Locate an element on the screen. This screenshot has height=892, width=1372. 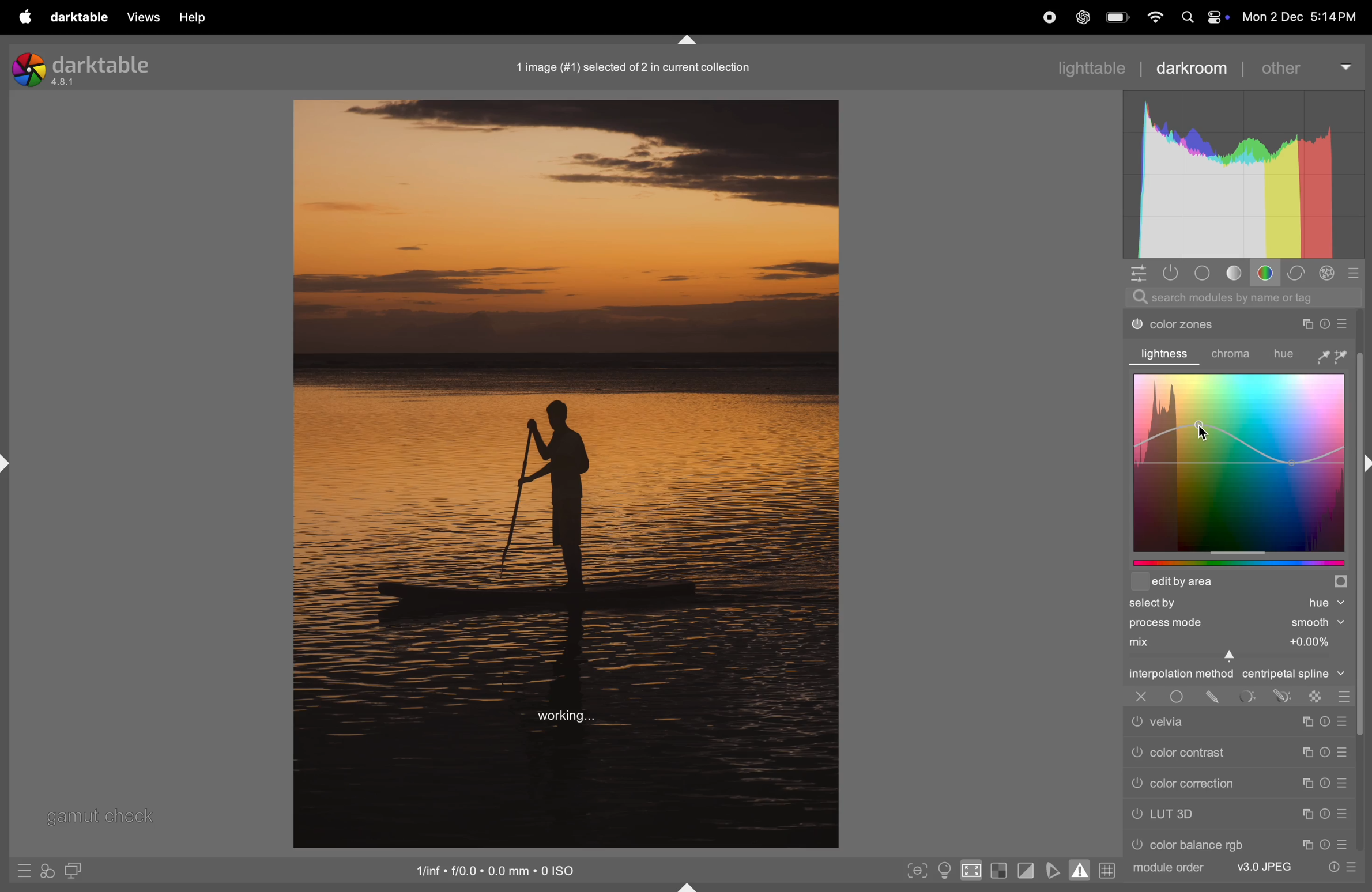
iso standard is located at coordinates (499, 873).